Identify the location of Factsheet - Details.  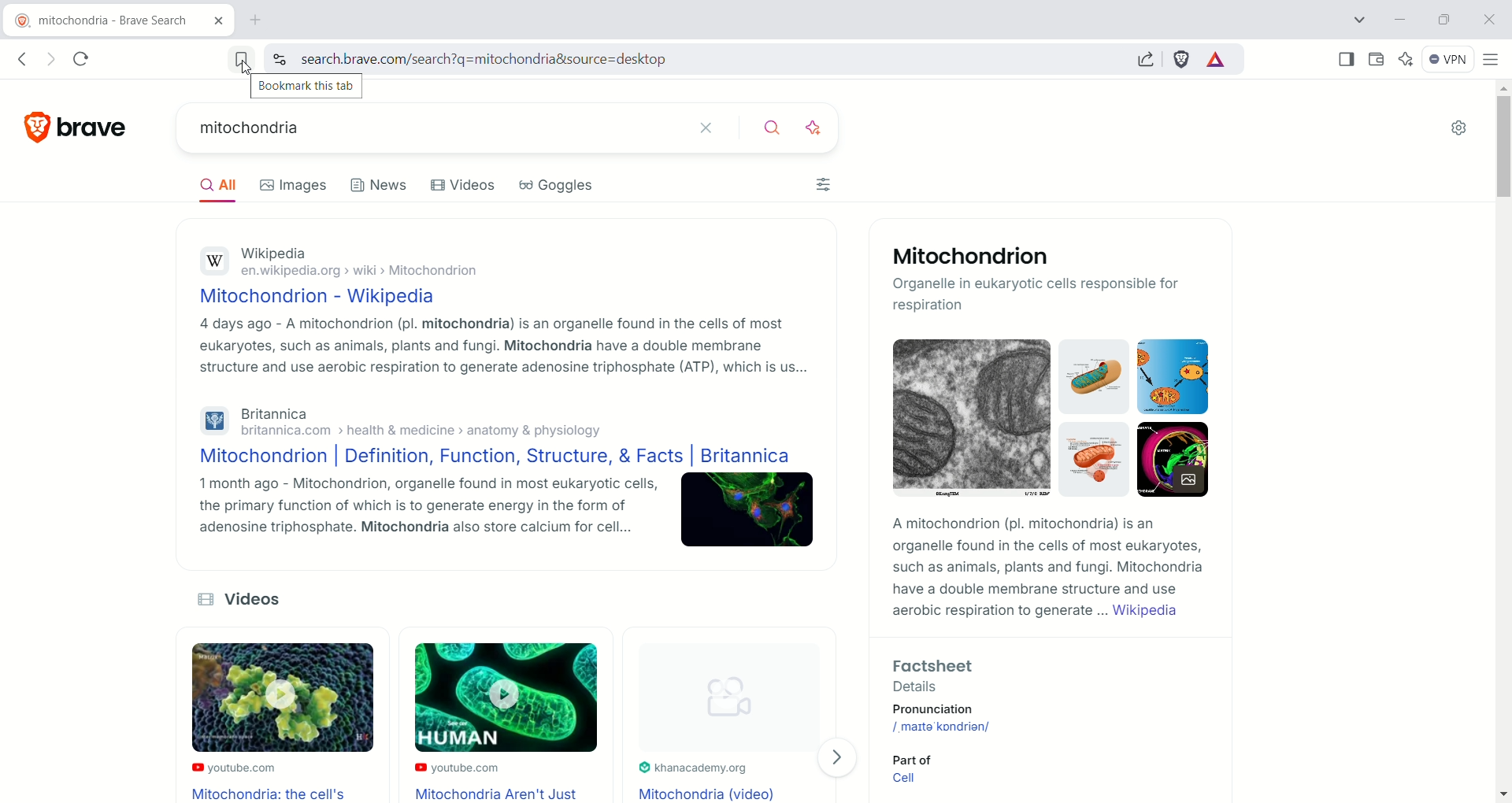
(1036, 673).